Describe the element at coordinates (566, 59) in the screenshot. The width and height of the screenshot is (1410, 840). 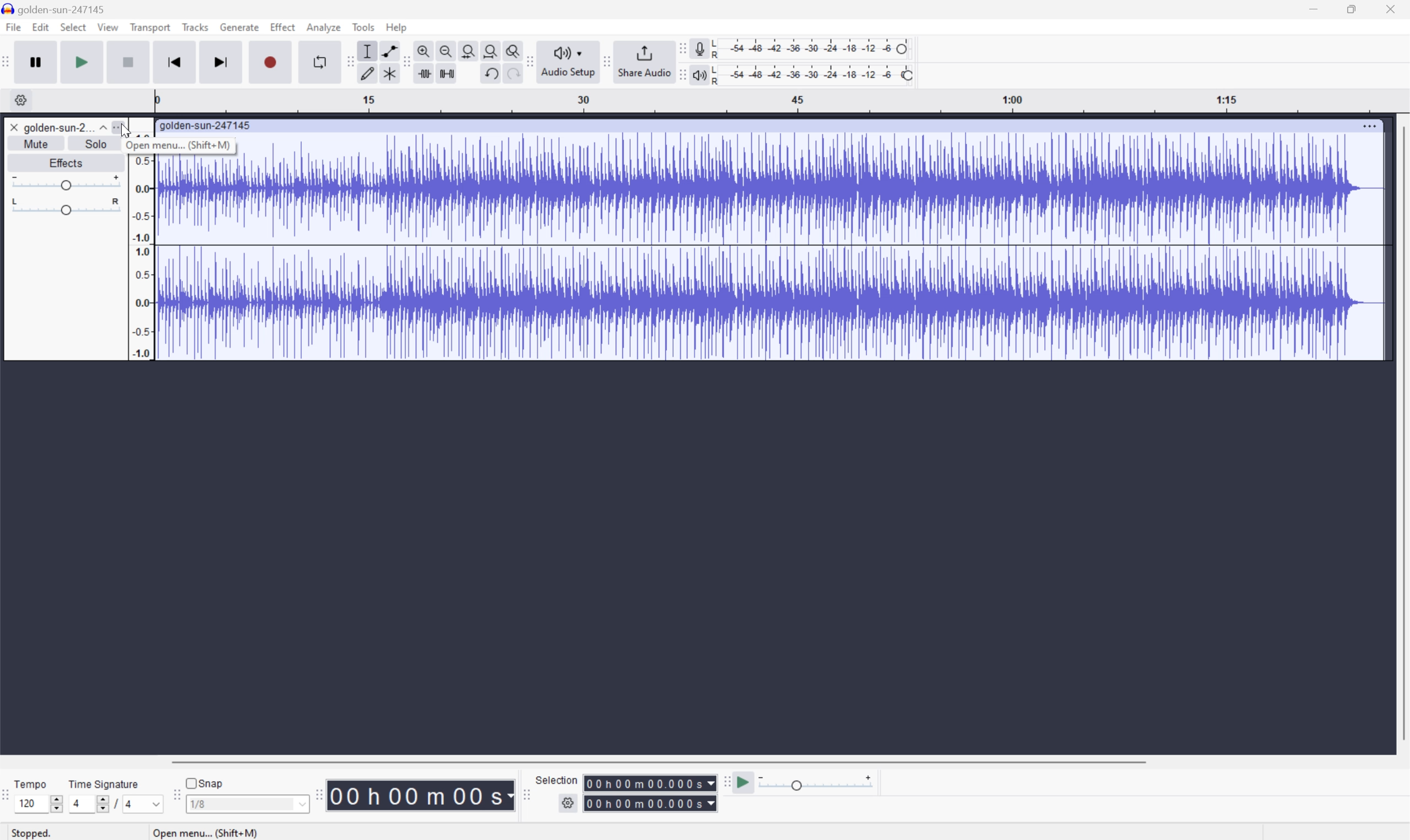
I see `Audacity audio setup toolbar` at that location.